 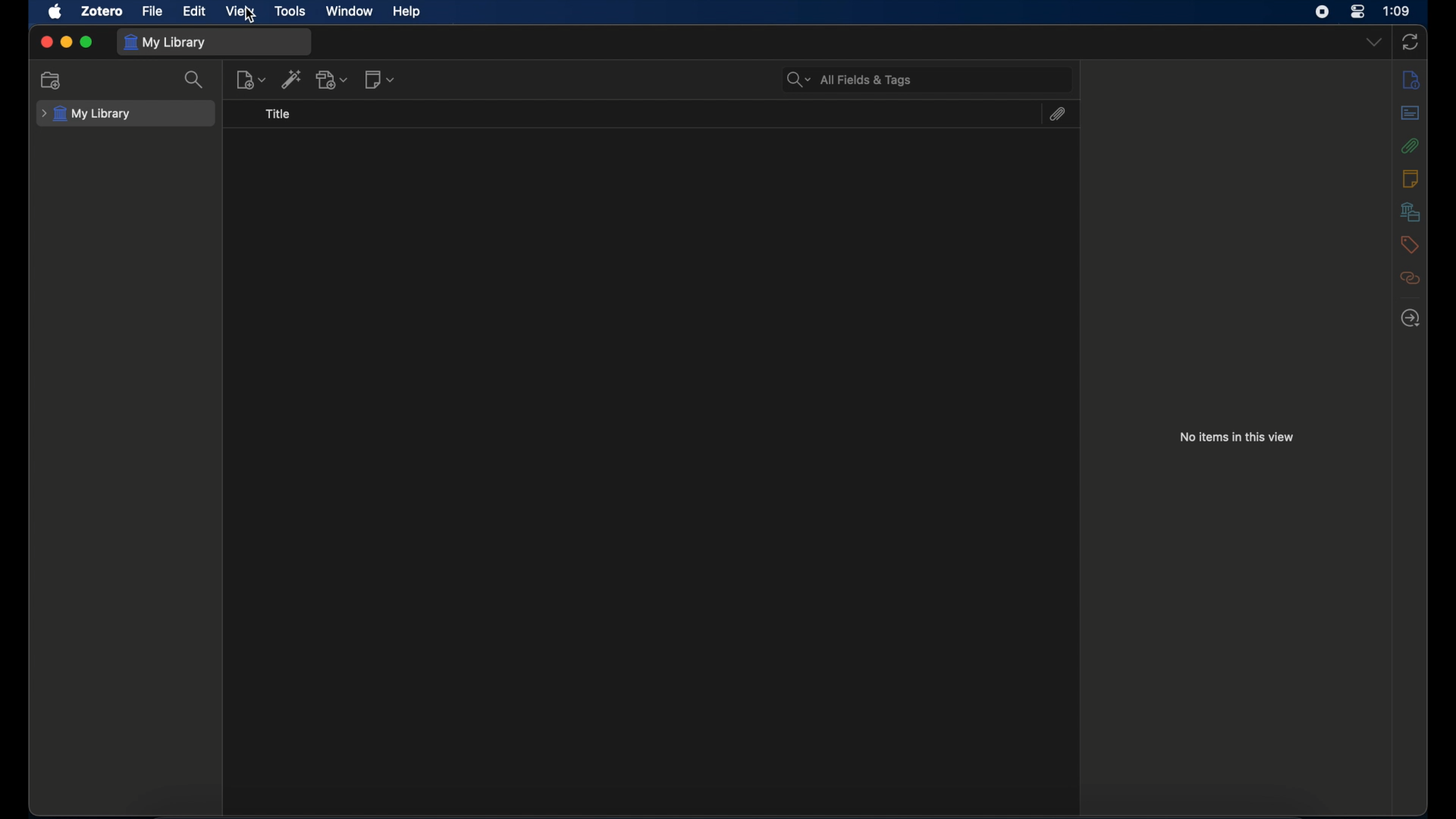 I want to click on attachments, so click(x=1056, y=114).